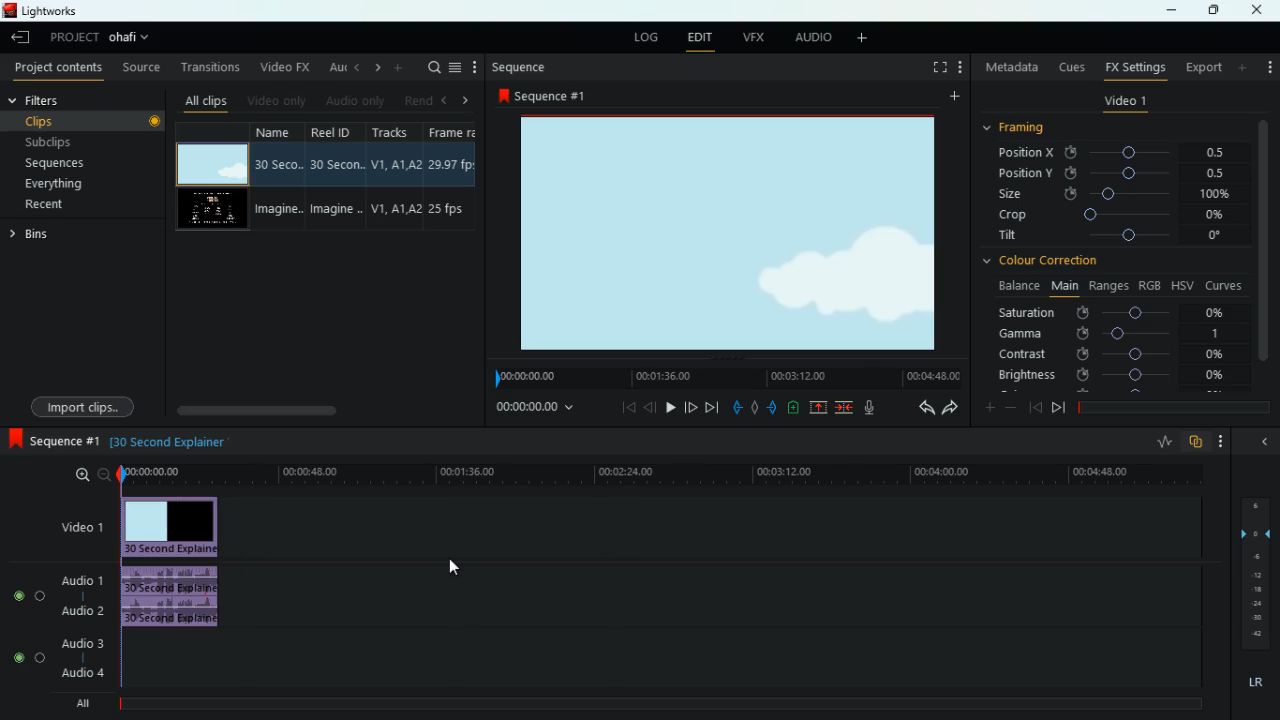 This screenshot has height=720, width=1280. What do you see at coordinates (650, 407) in the screenshot?
I see `back` at bounding box center [650, 407].